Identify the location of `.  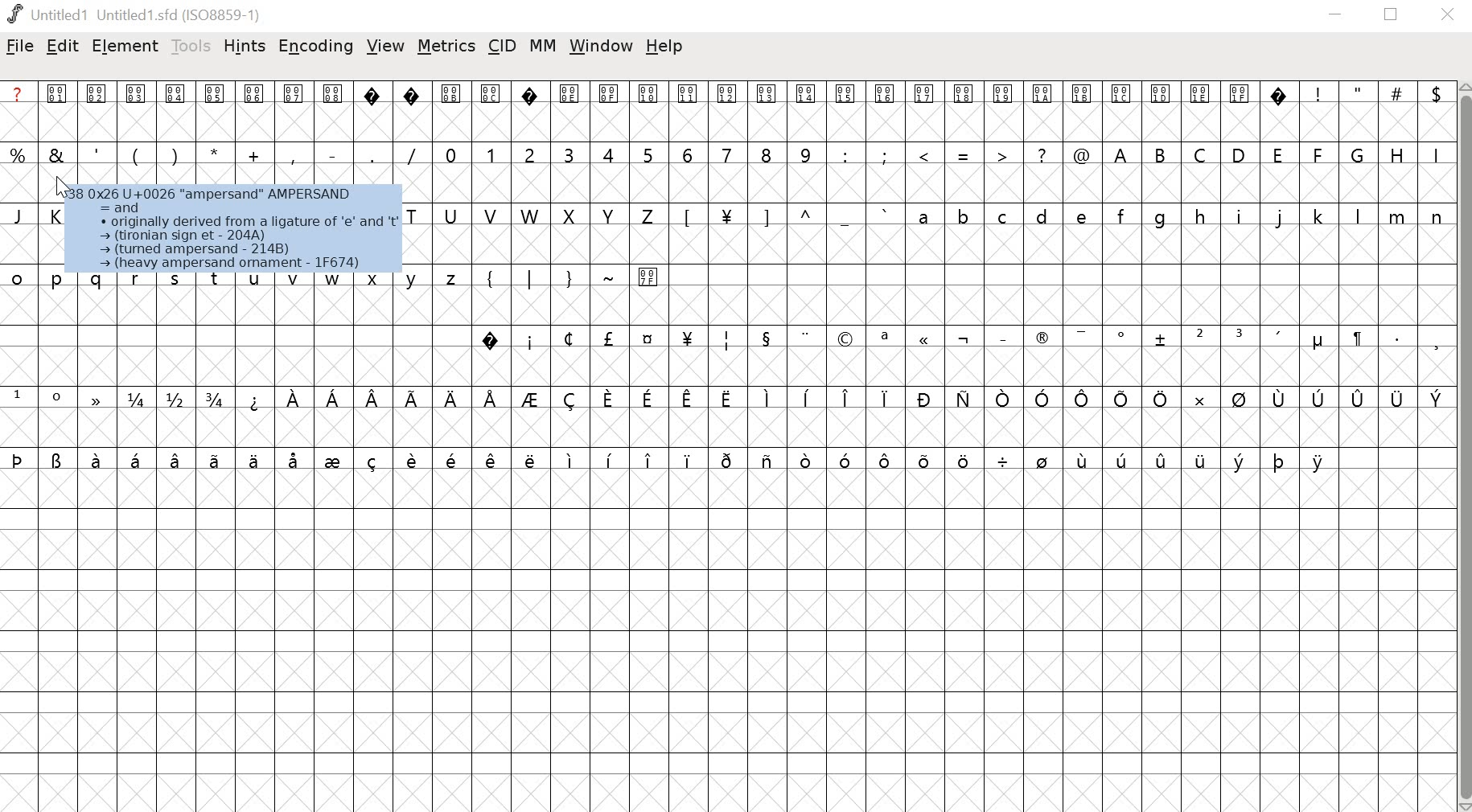
(886, 215).